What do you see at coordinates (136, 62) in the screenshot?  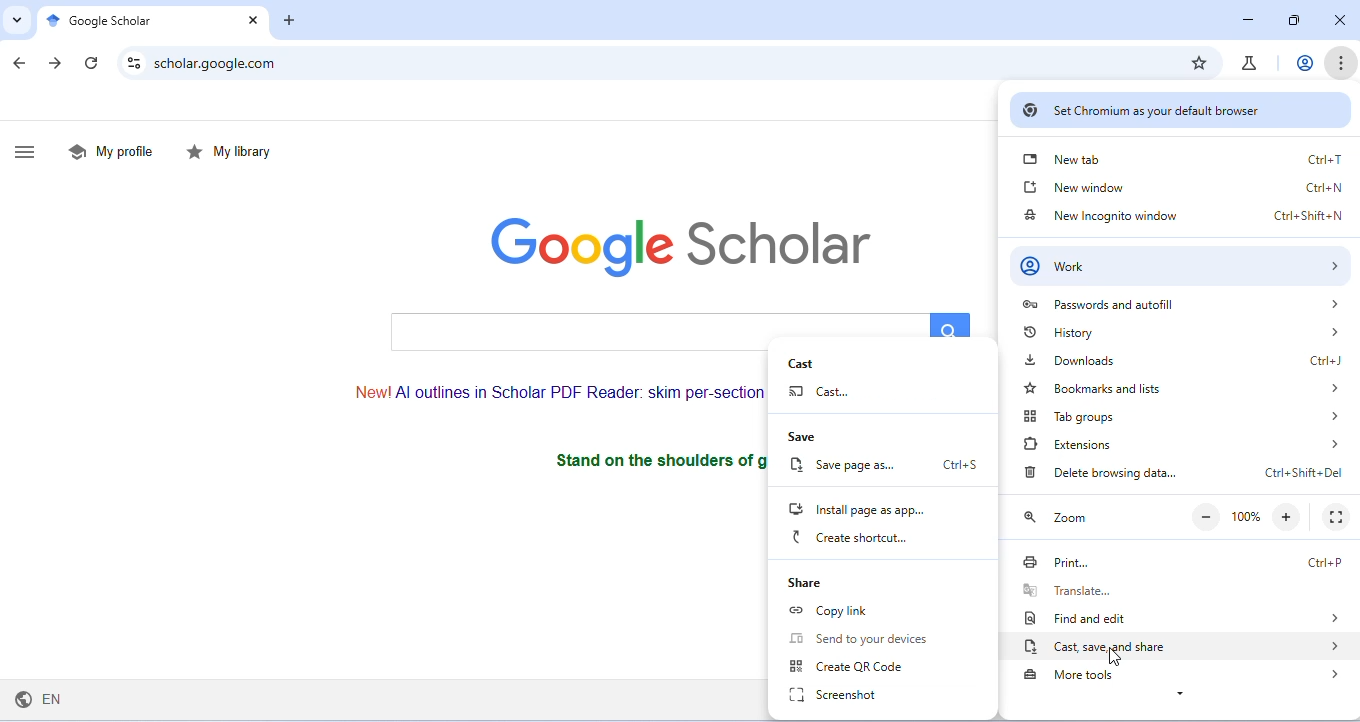 I see `site settings` at bounding box center [136, 62].